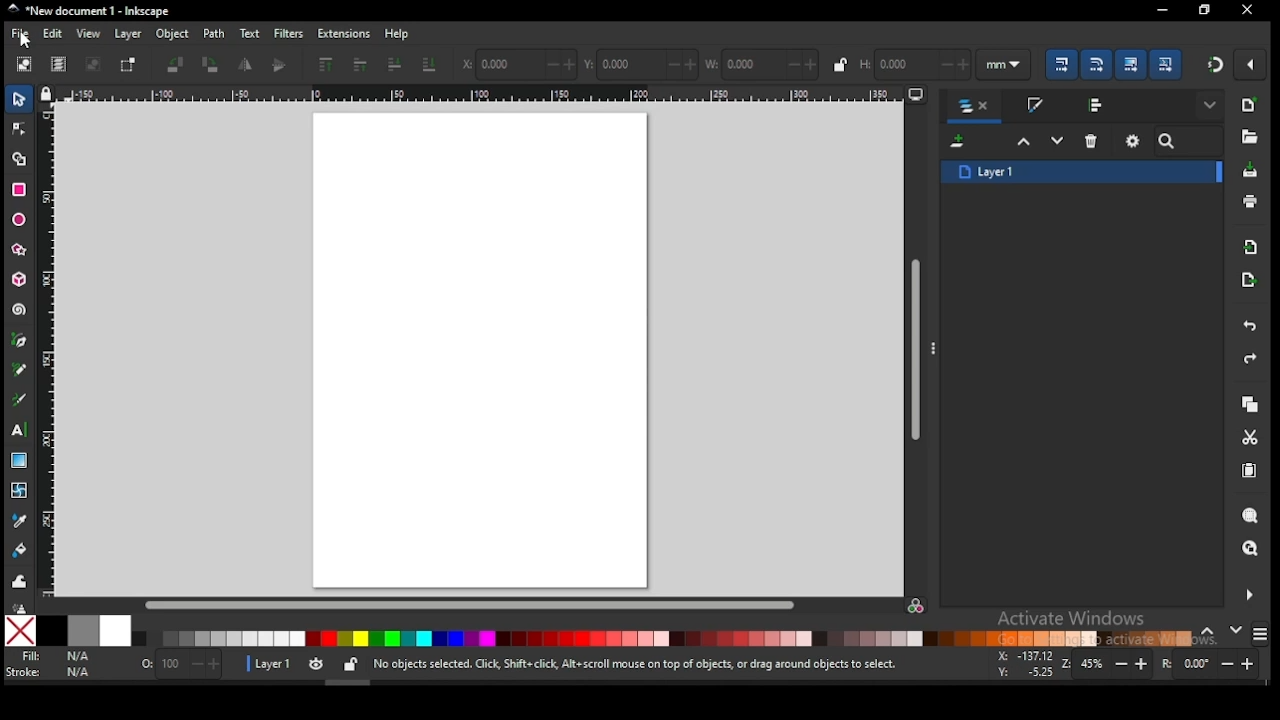 Image resolution: width=1280 pixels, height=720 pixels. What do you see at coordinates (917, 348) in the screenshot?
I see `scroll bar` at bounding box center [917, 348].